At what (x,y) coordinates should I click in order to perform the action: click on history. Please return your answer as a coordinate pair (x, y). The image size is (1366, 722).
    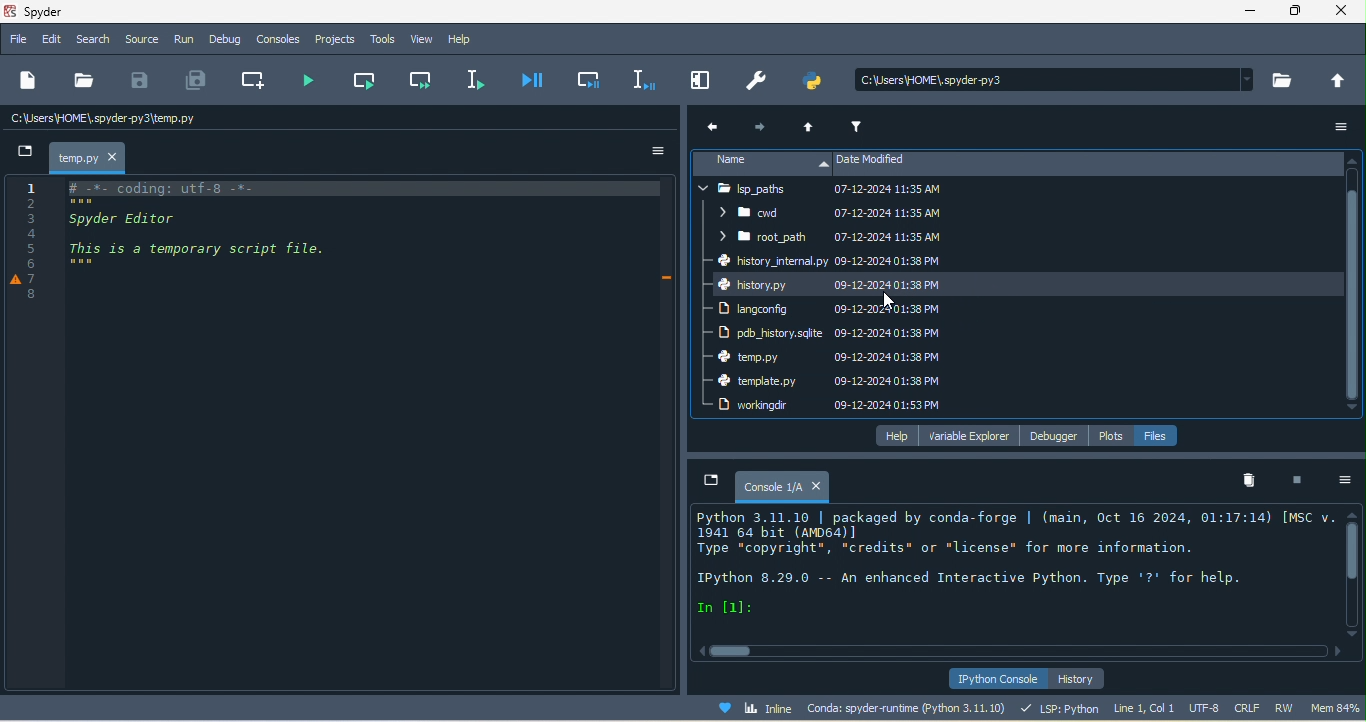
    Looking at the image, I should click on (1079, 679).